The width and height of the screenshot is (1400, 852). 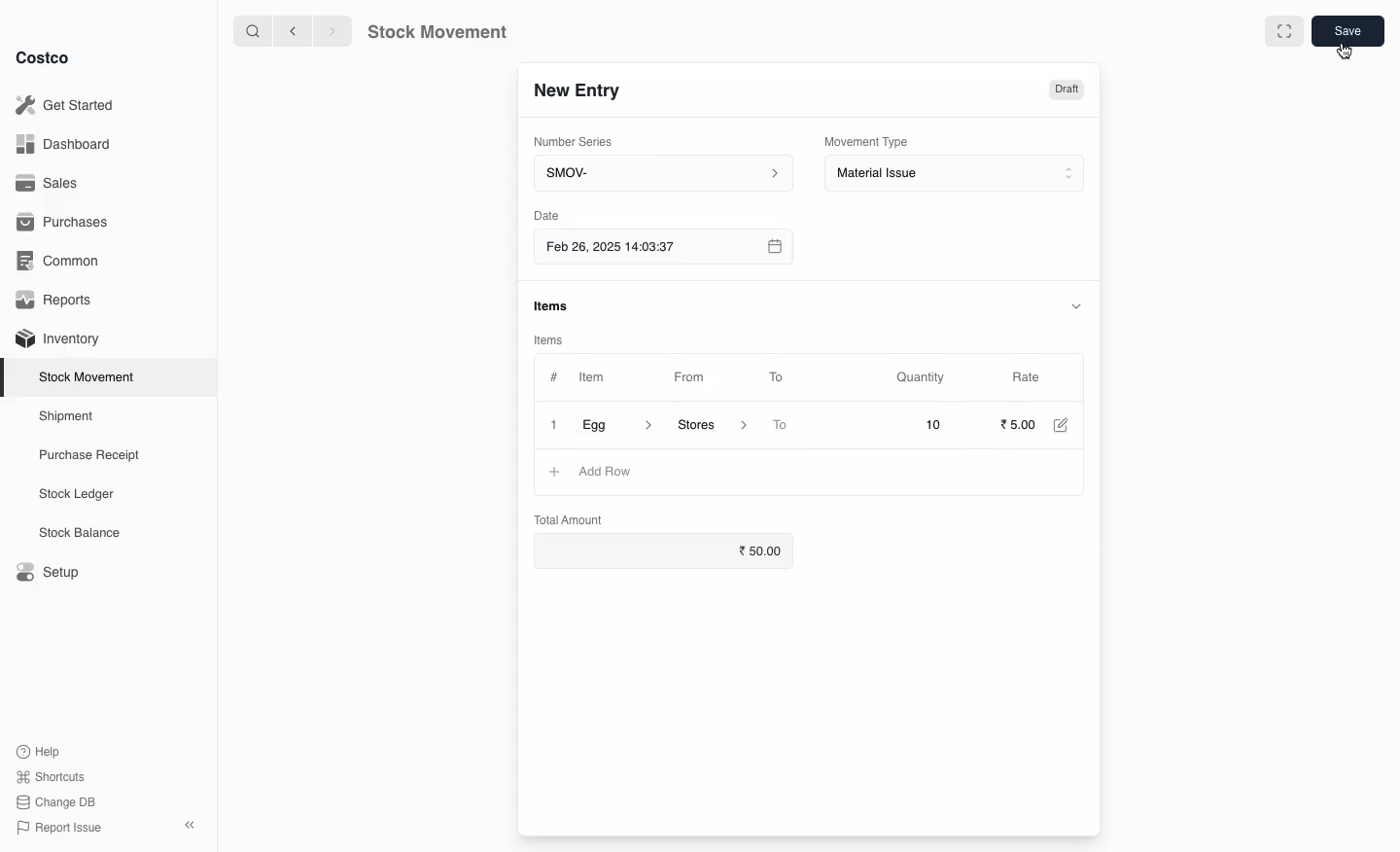 I want to click on To, so click(x=777, y=376).